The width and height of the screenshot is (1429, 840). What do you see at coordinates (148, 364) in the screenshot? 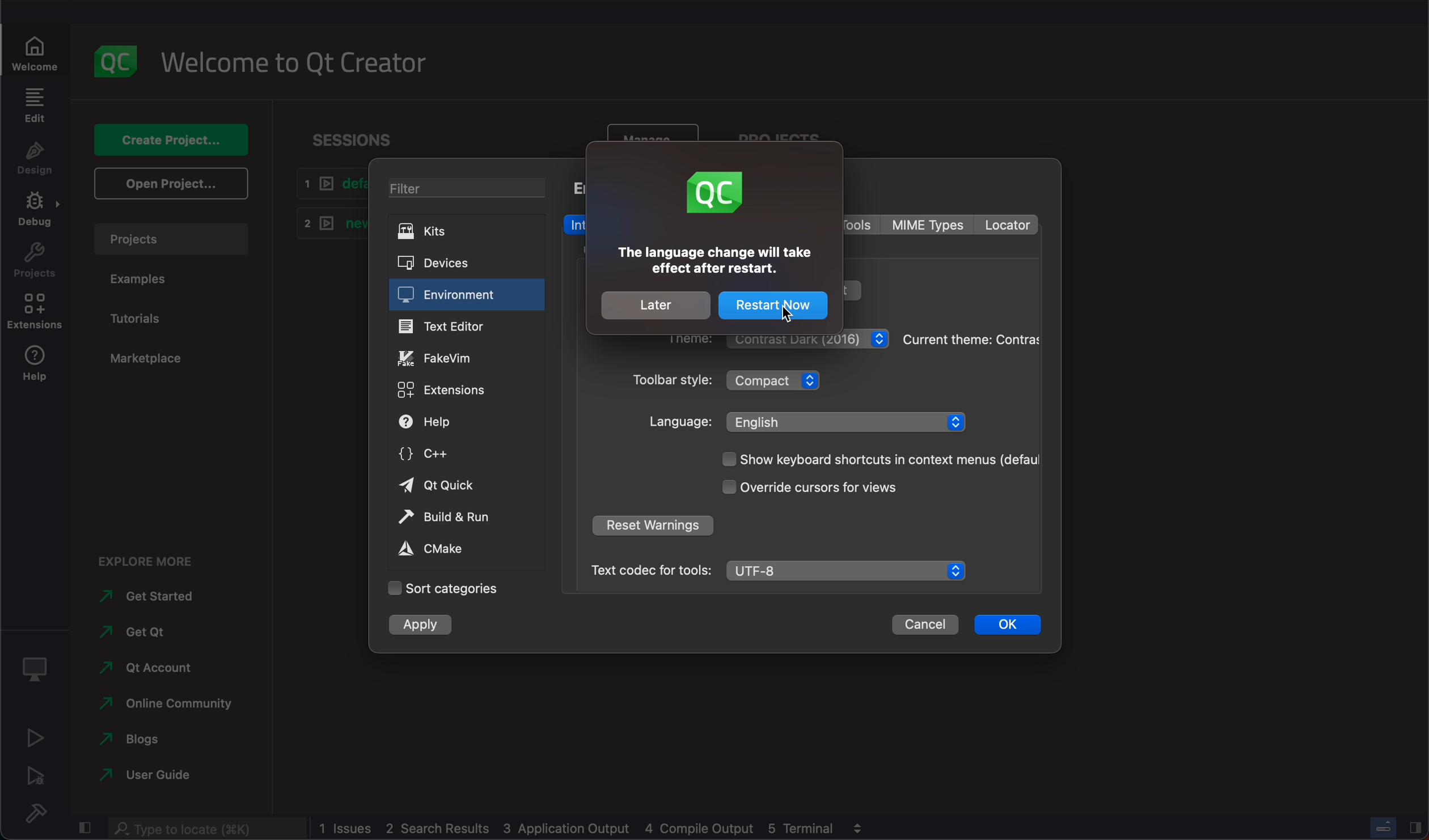
I see `marketplace` at bounding box center [148, 364].